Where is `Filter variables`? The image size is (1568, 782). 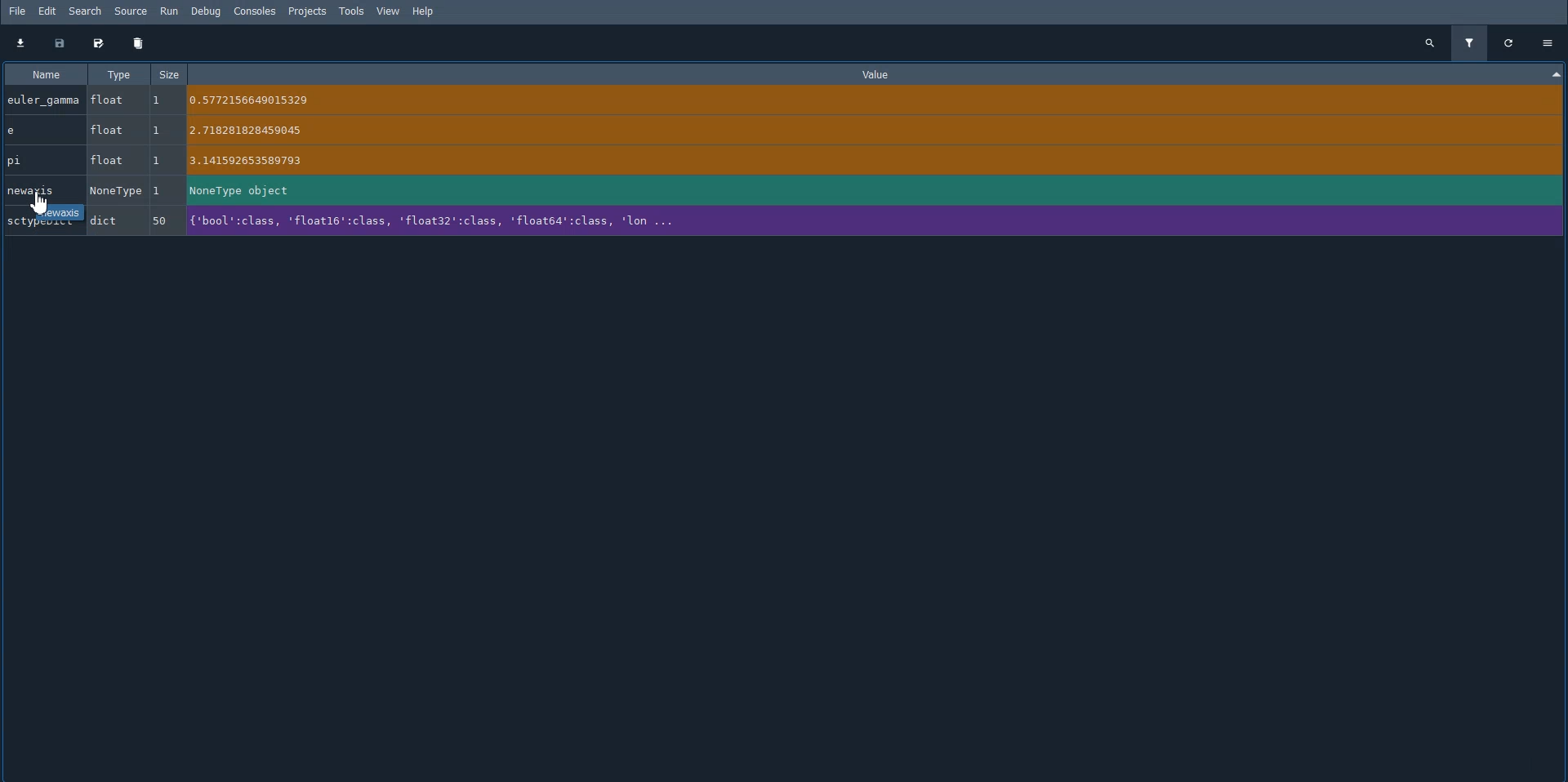 Filter variables is located at coordinates (1472, 42).